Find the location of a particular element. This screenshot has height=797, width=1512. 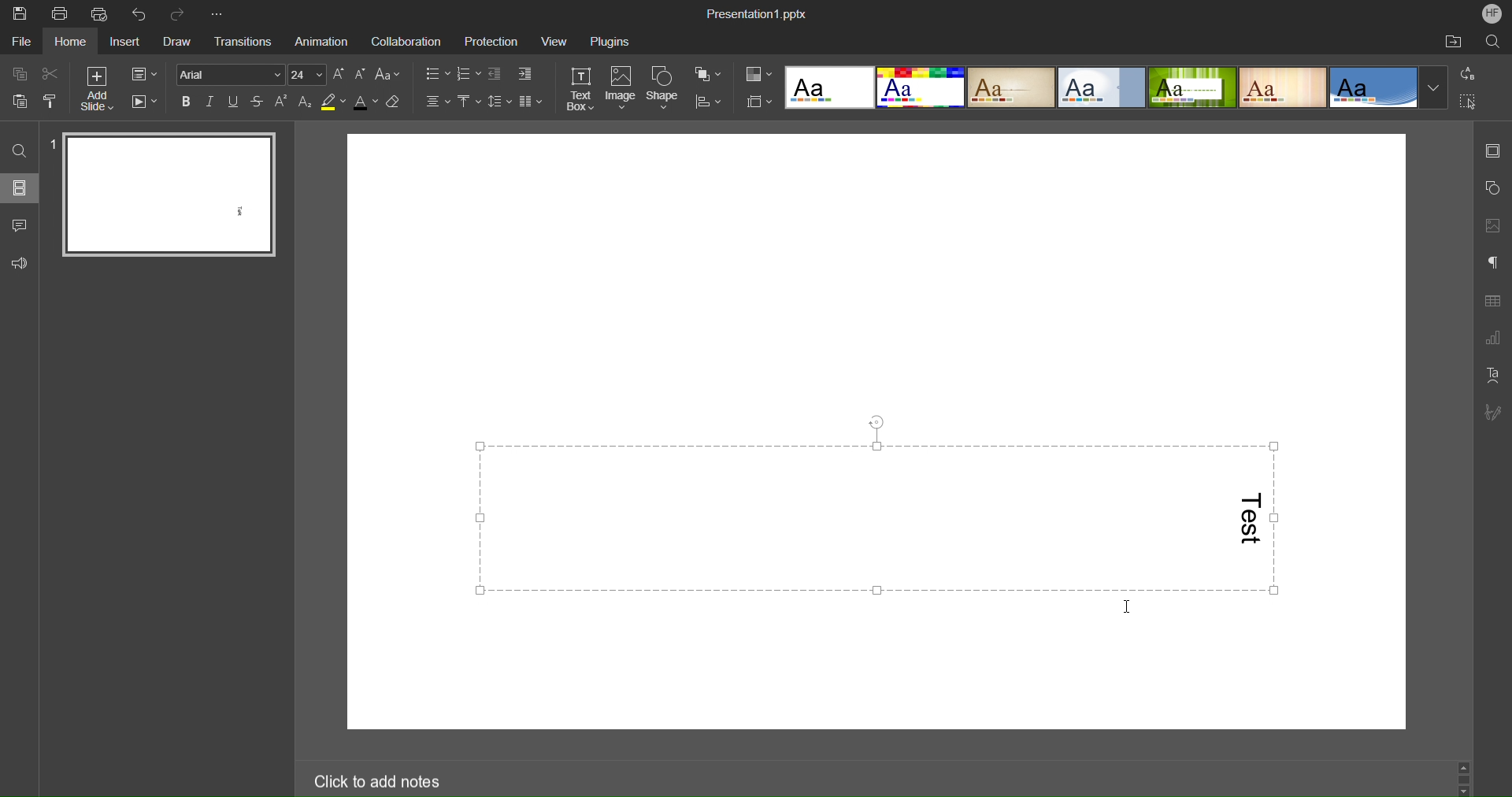

Copy is located at coordinates (23, 73).